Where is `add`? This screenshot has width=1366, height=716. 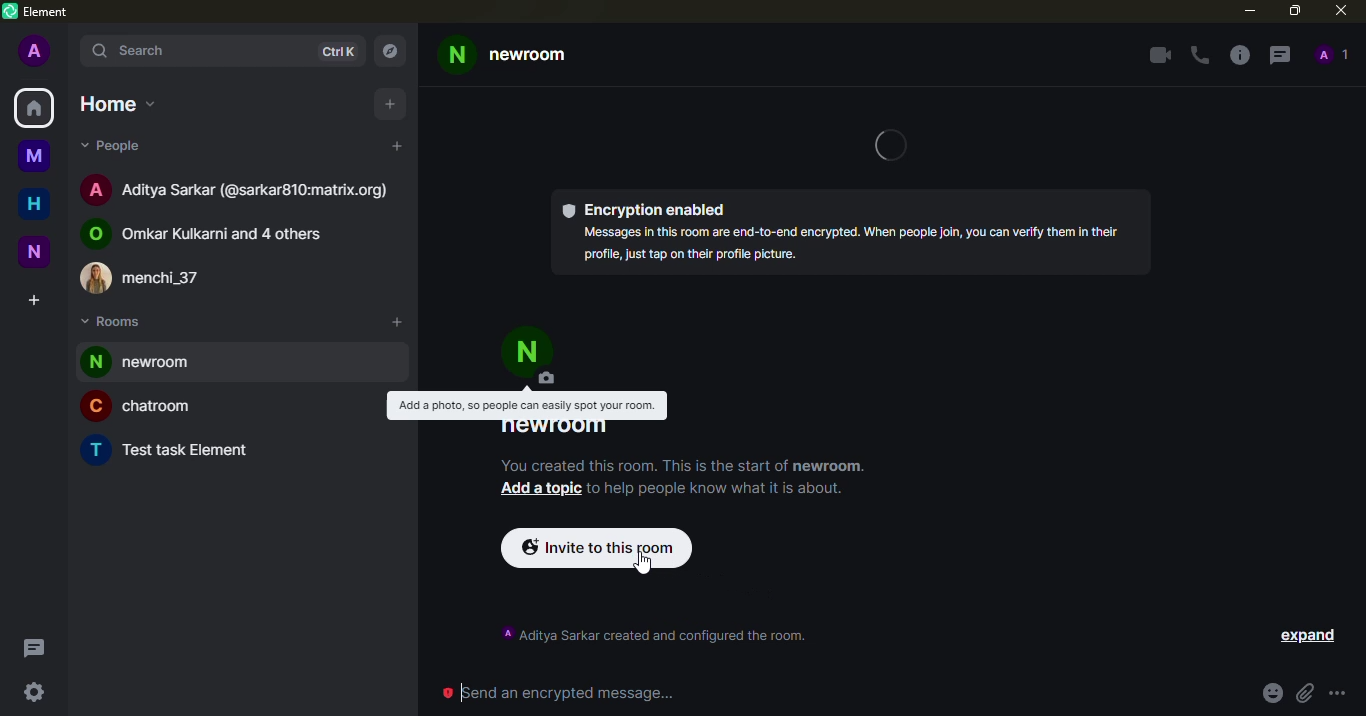 add is located at coordinates (397, 321).